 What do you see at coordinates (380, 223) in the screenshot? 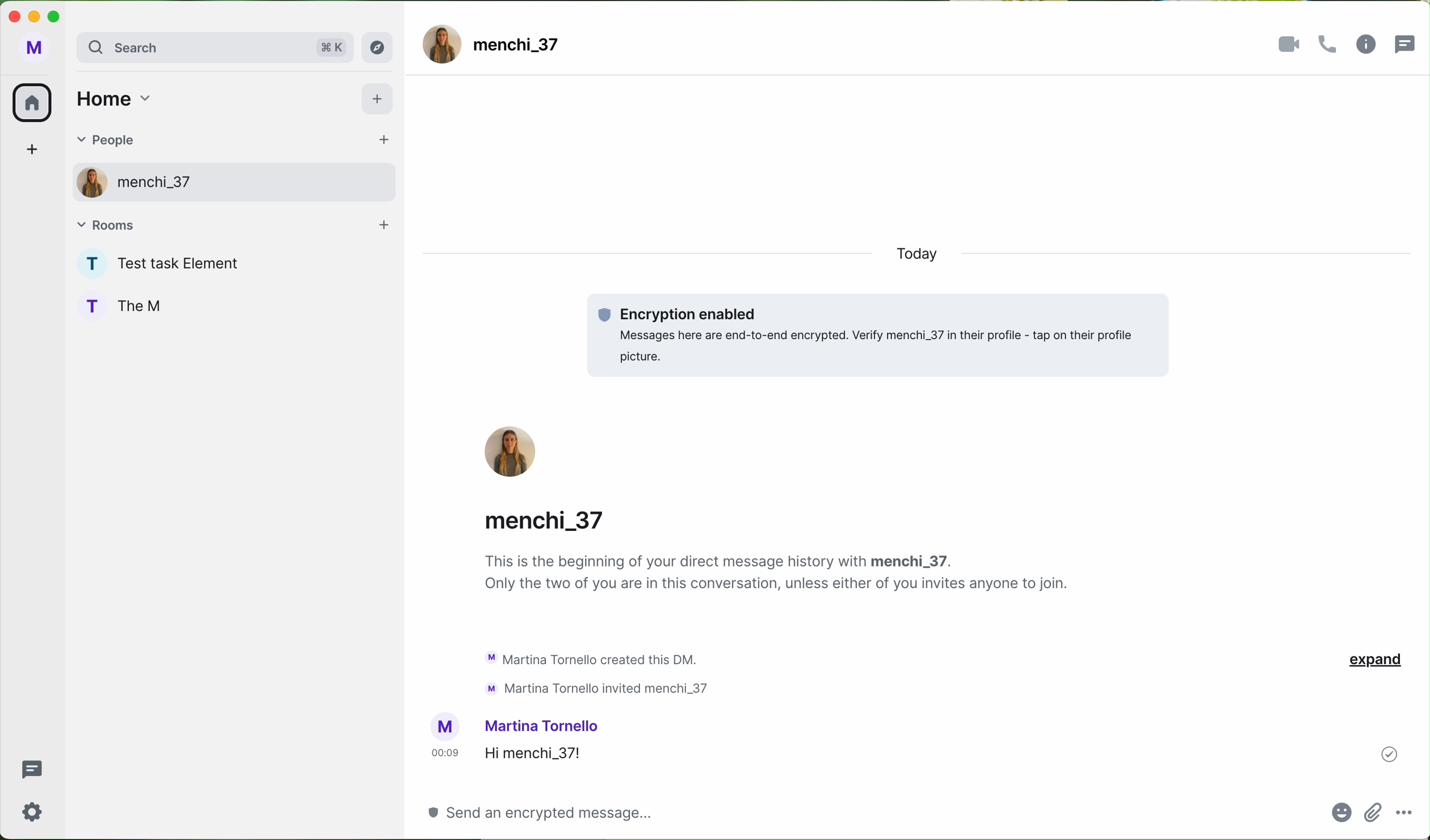
I see `add` at bounding box center [380, 223].